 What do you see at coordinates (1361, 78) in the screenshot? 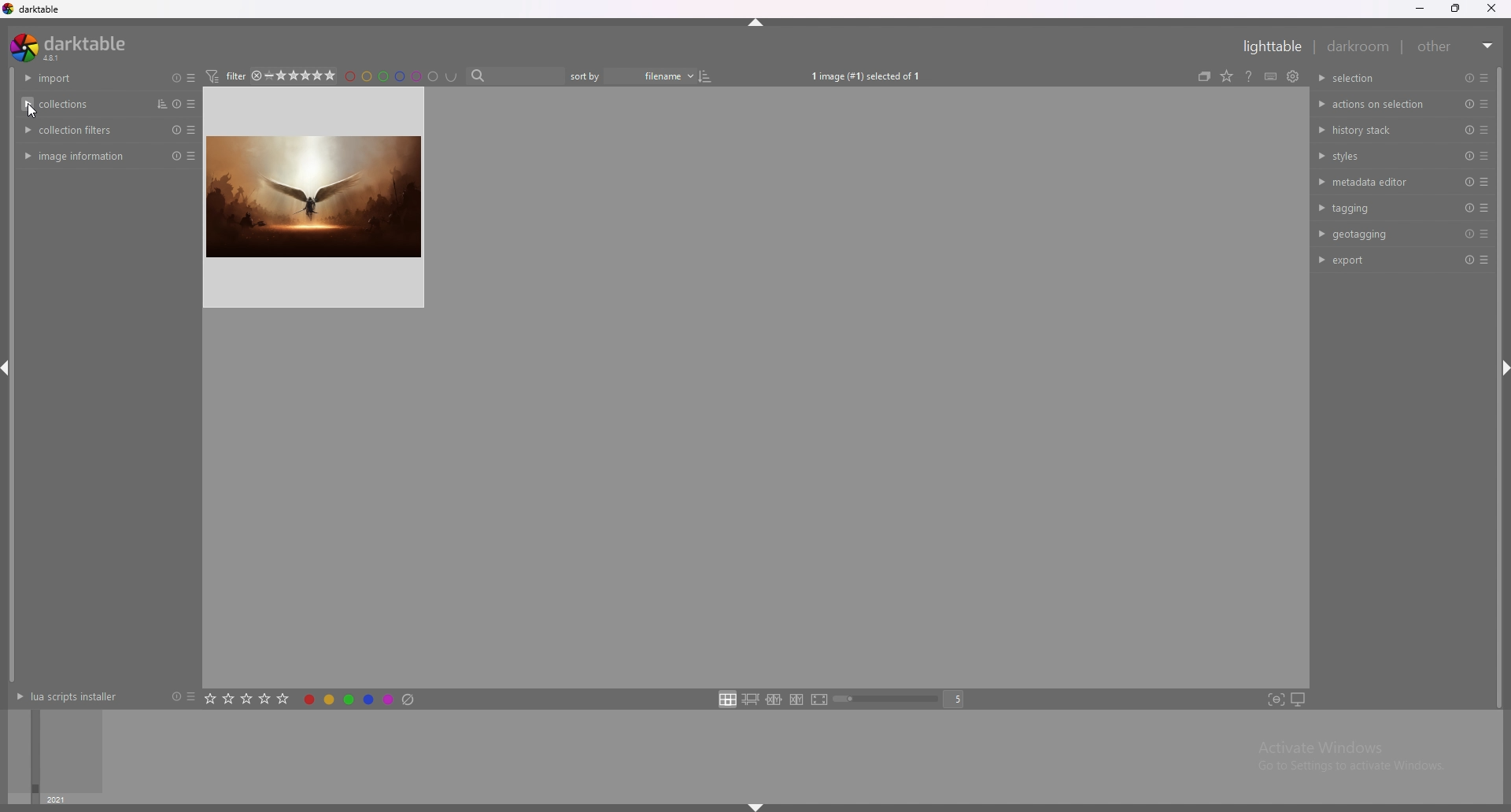
I see `selection` at bounding box center [1361, 78].